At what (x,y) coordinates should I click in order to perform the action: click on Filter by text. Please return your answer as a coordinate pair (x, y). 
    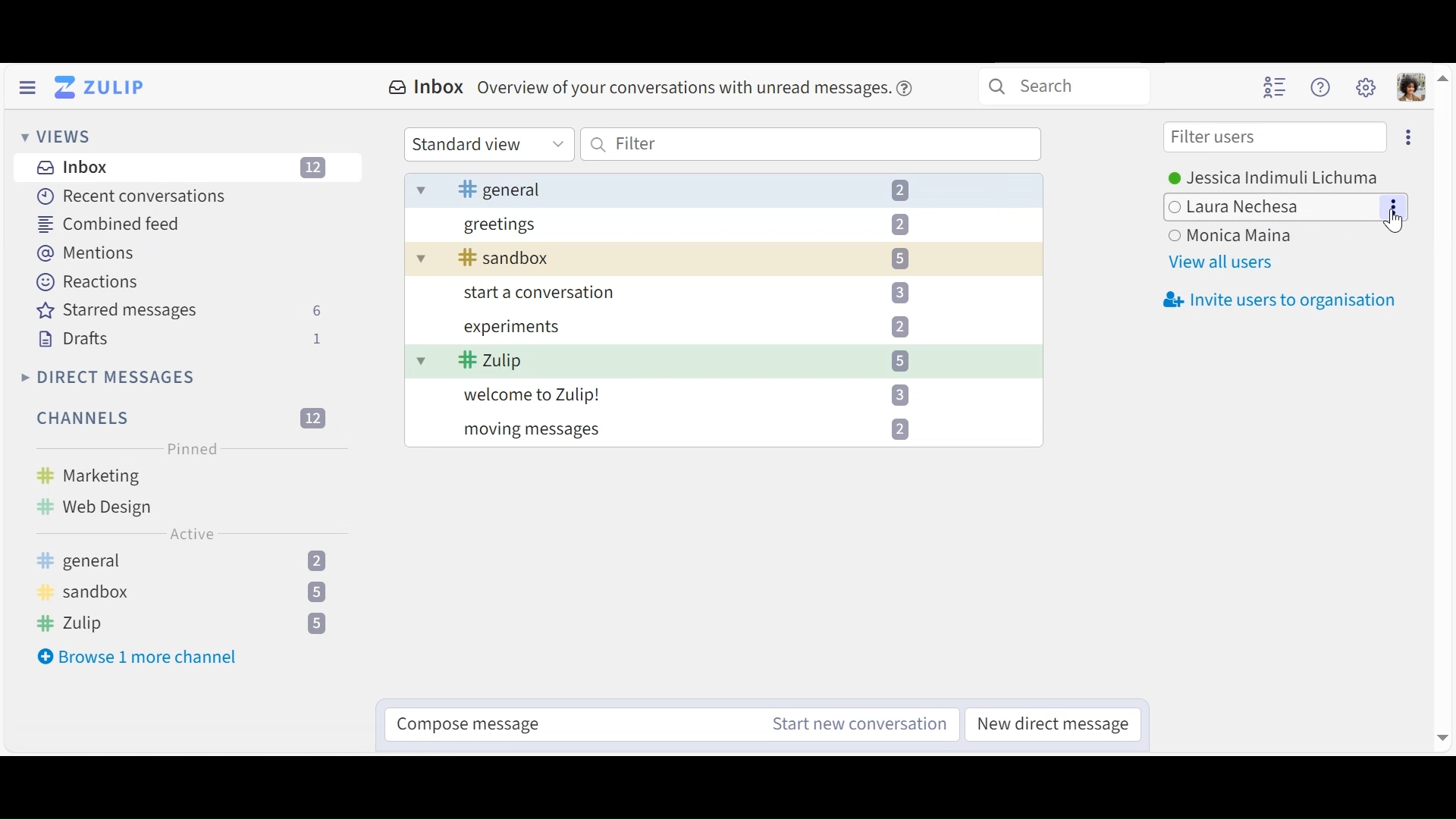
    Looking at the image, I should click on (812, 144).